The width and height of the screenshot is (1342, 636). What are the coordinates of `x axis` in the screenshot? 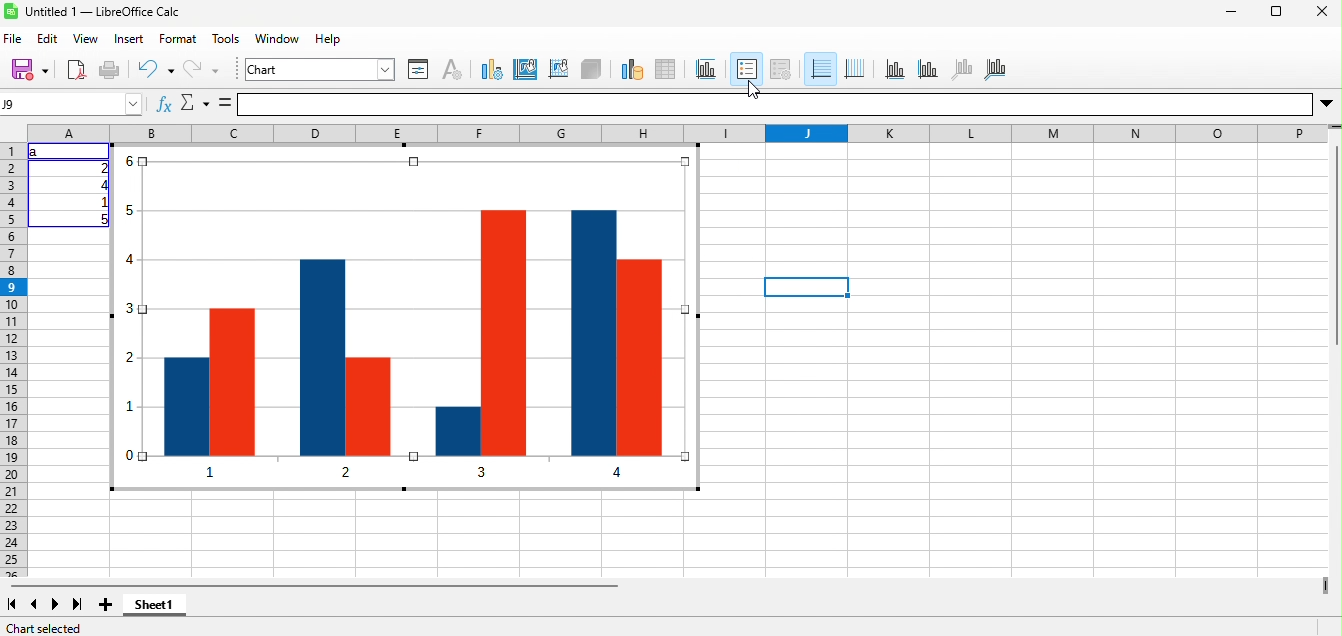 It's located at (896, 70).